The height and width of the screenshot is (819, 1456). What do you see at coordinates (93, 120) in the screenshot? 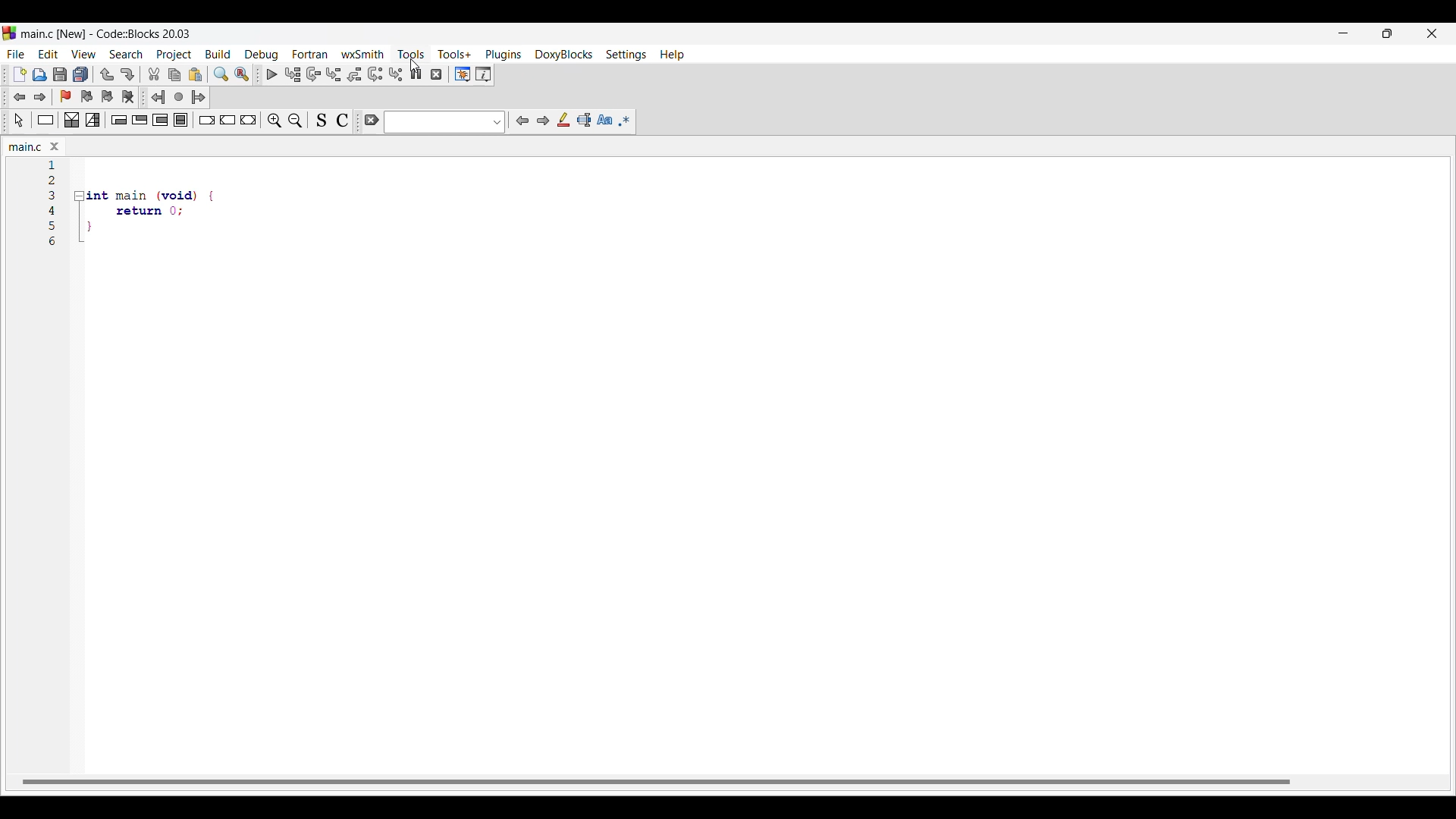
I see `Selection` at bounding box center [93, 120].